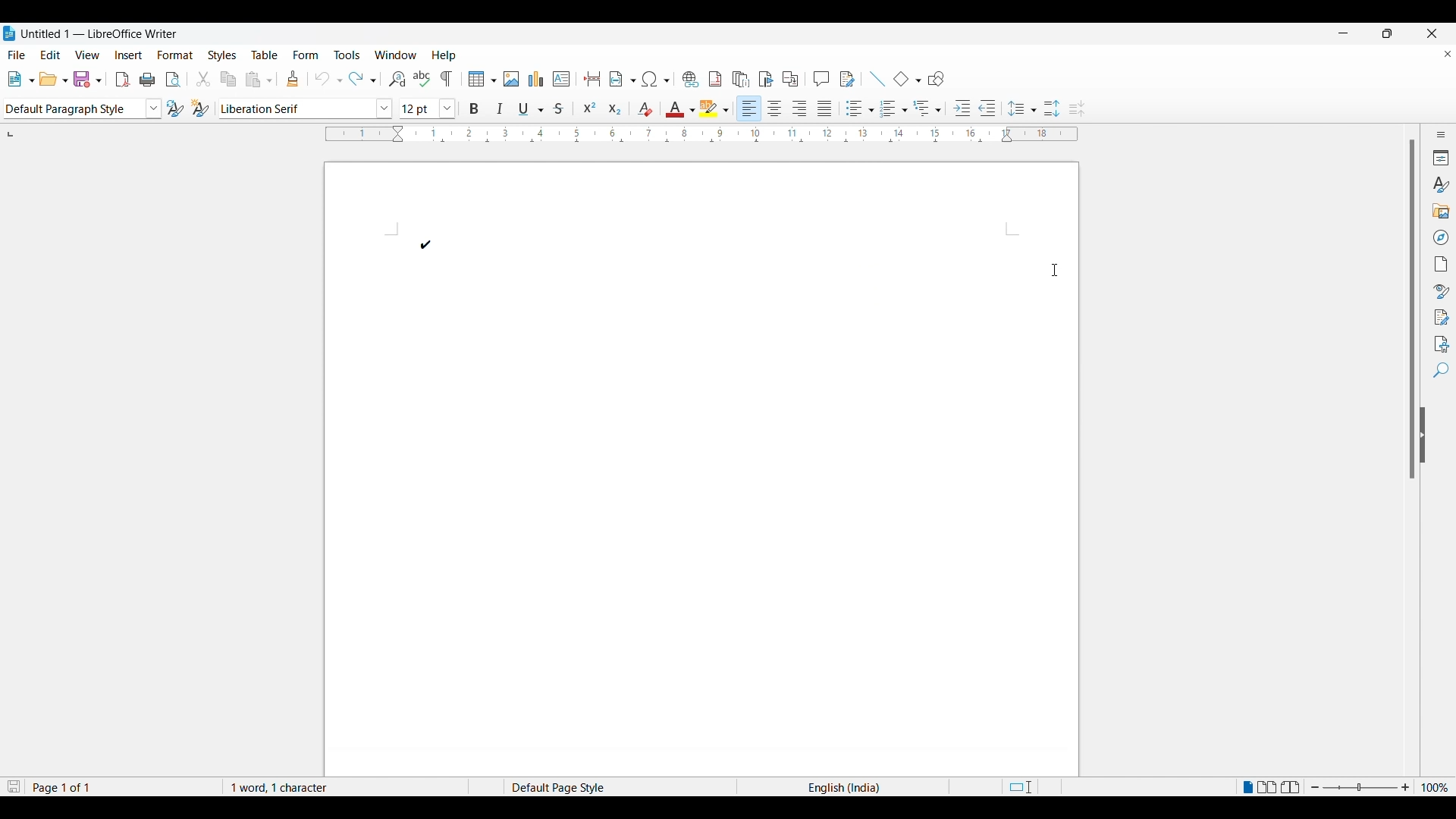  I want to click on English (India), so click(849, 786).